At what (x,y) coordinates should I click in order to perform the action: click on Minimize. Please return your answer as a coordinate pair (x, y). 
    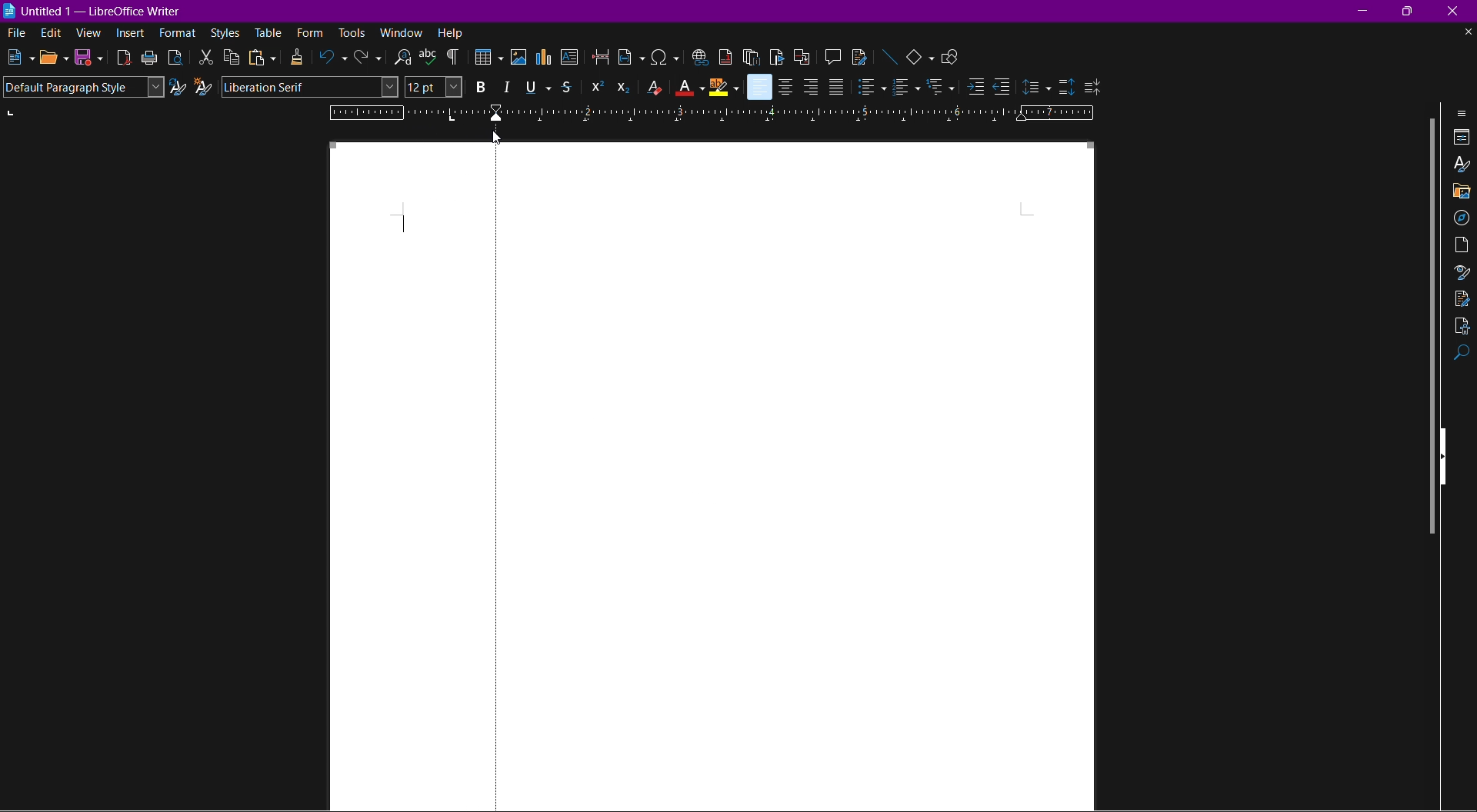
    Looking at the image, I should click on (1365, 10).